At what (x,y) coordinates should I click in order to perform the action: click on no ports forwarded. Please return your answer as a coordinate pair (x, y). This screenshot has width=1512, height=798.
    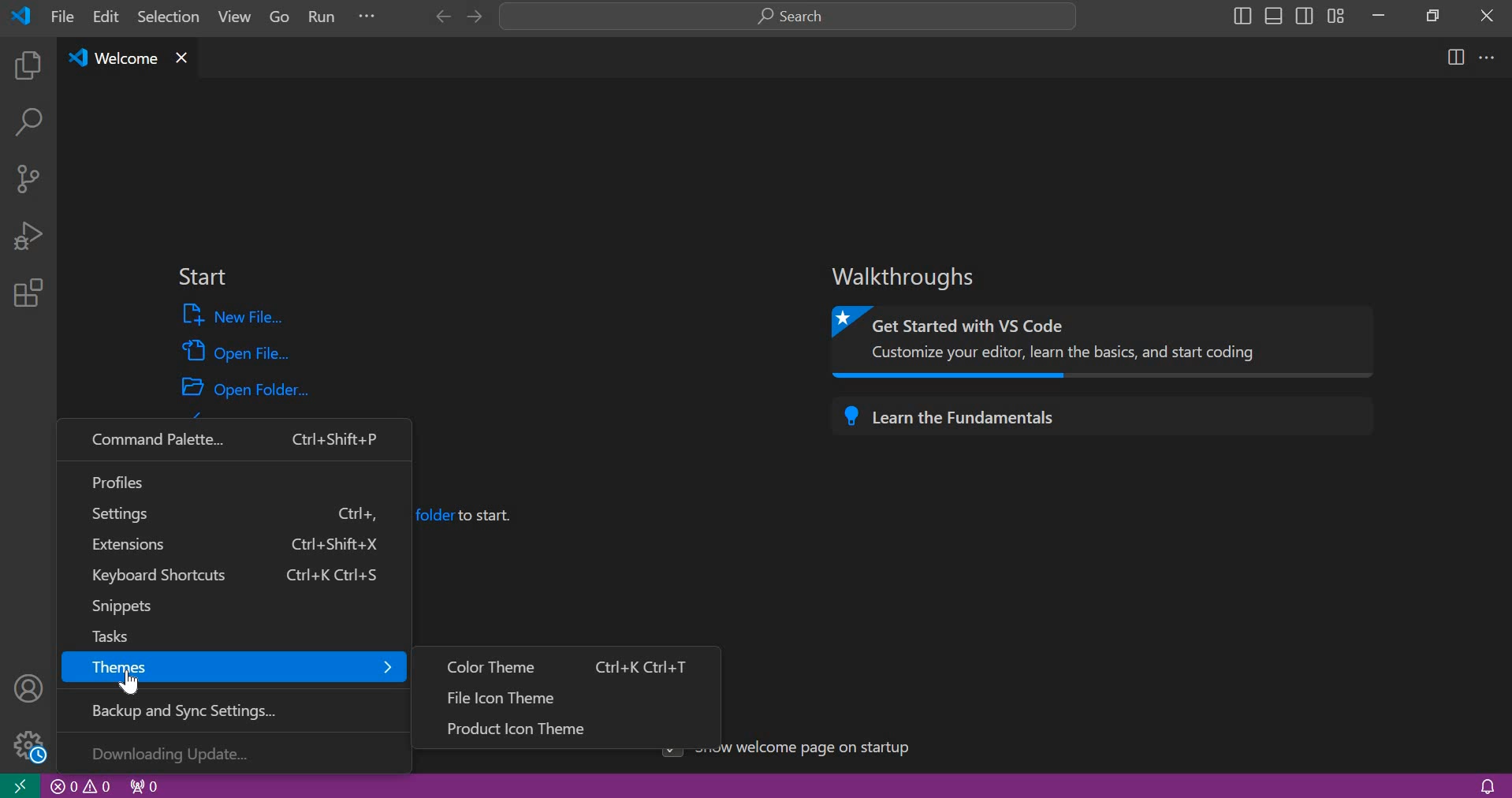
    Looking at the image, I should click on (145, 785).